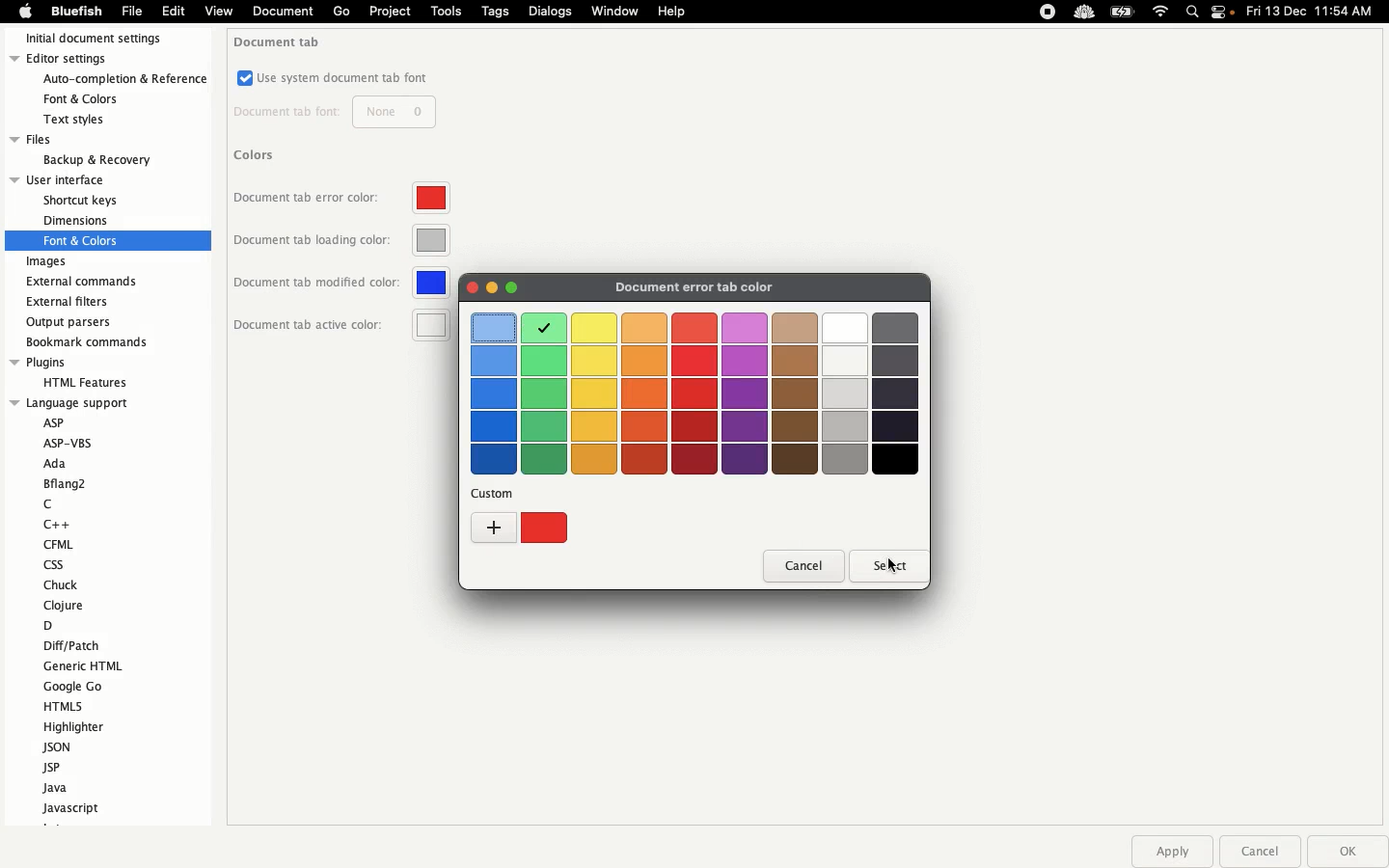 This screenshot has height=868, width=1389. Describe the element at coordinates (81, 381) in the screenshot. I see `HTML feature` at that location.